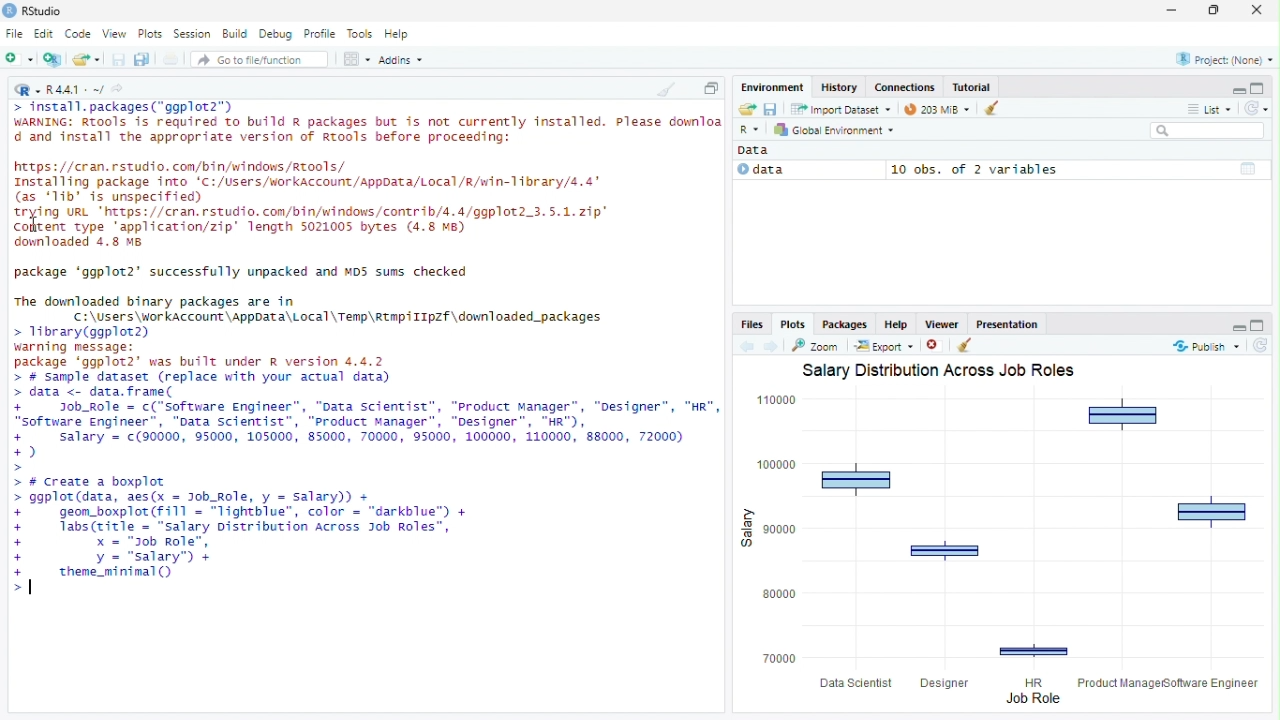  I want to click on print the current file, so click(171, 59).